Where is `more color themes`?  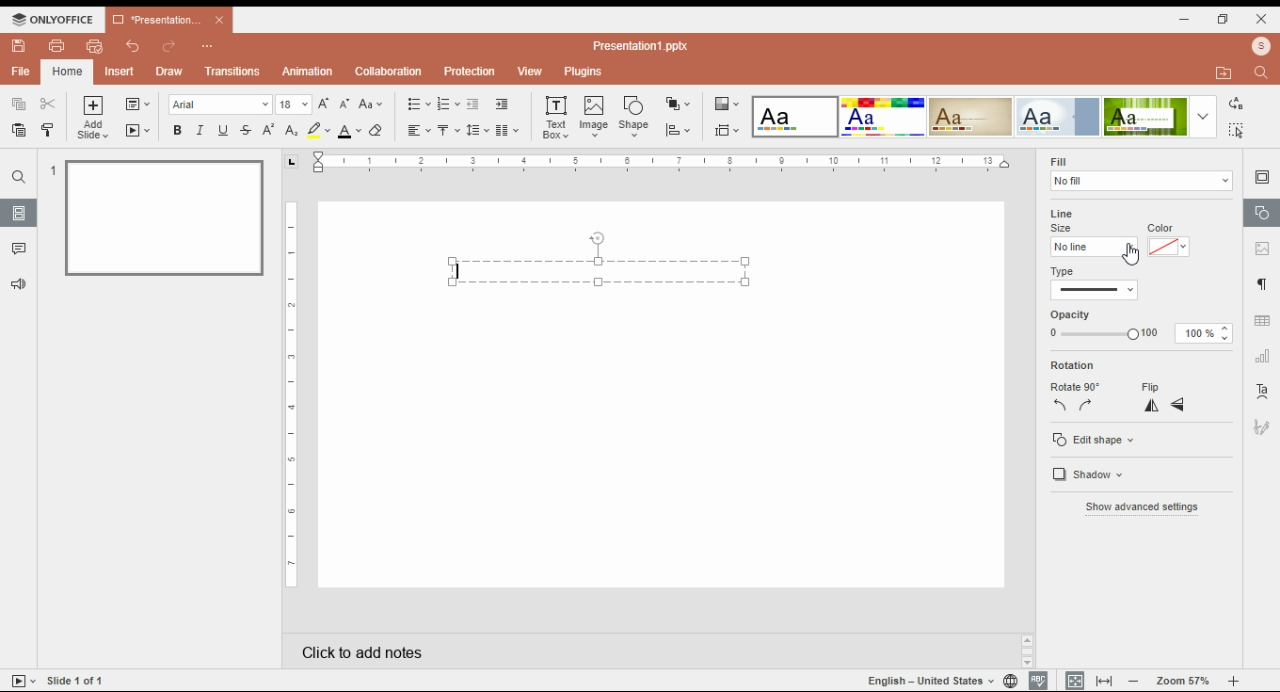 more color themes is located at coordinates (1203, 116).